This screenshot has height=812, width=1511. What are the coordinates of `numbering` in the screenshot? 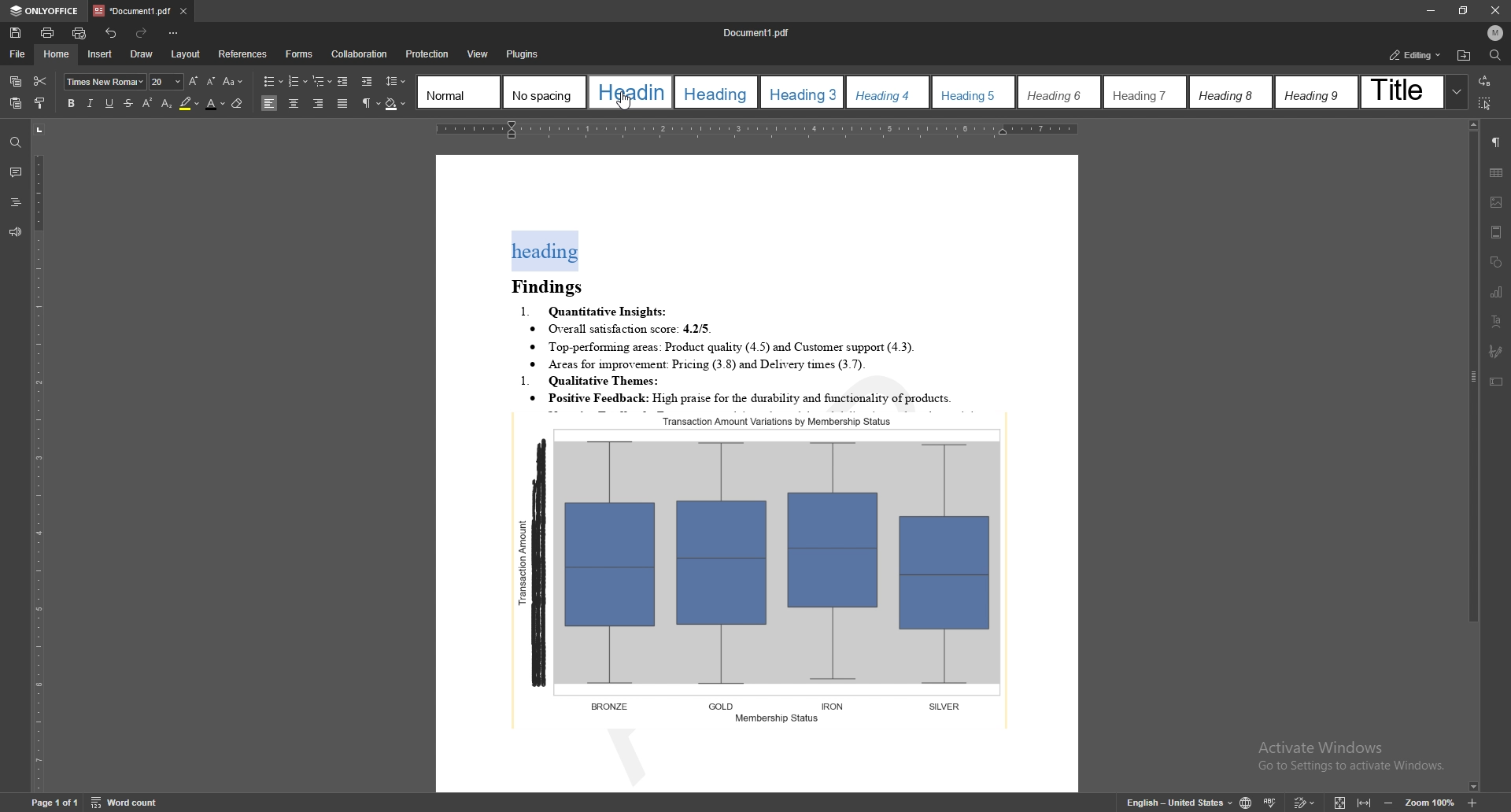 It's located at (298, 81).